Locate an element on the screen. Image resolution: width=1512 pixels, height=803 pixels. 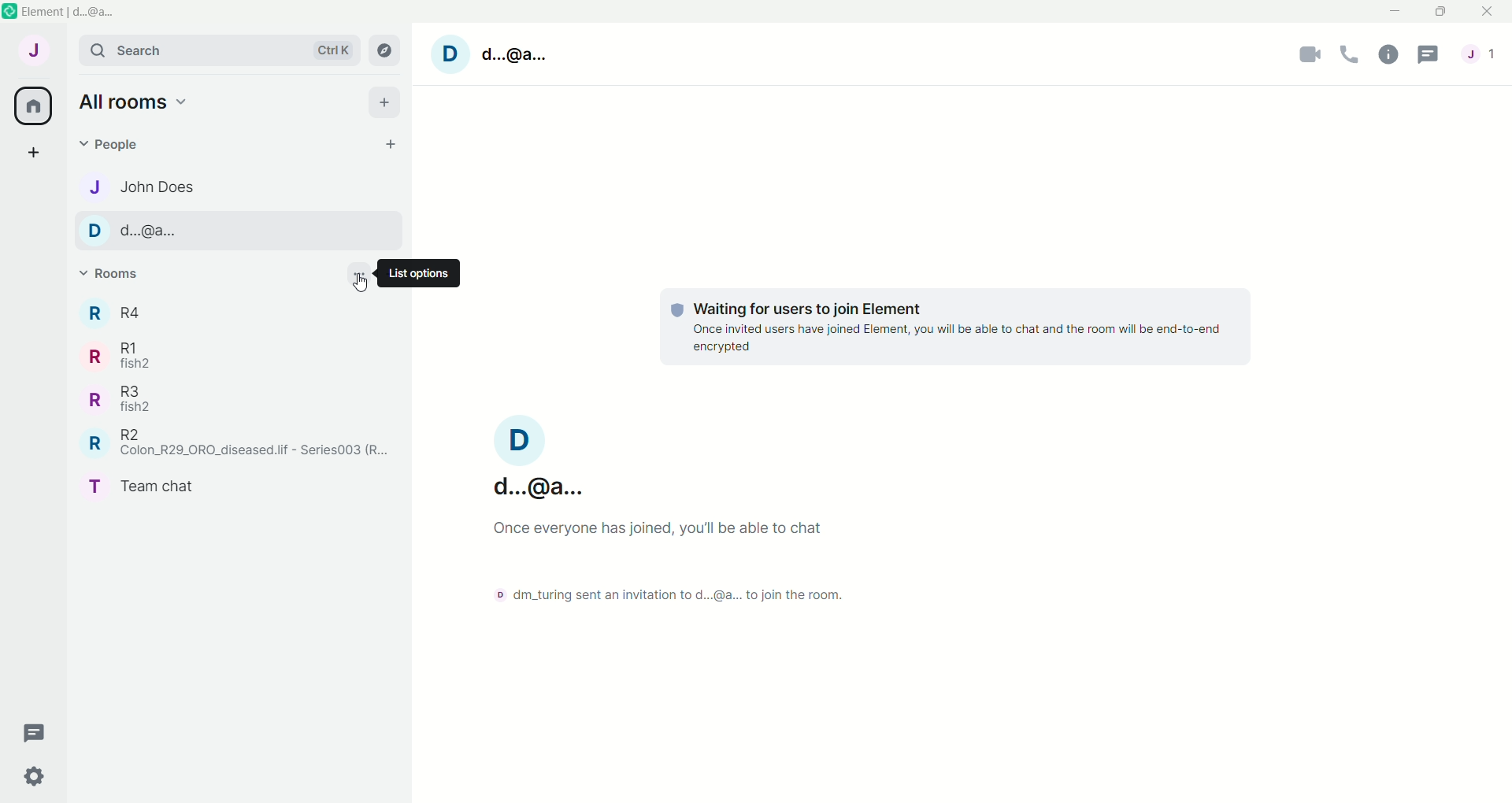
Rooms is located at coordinates (119, 276).